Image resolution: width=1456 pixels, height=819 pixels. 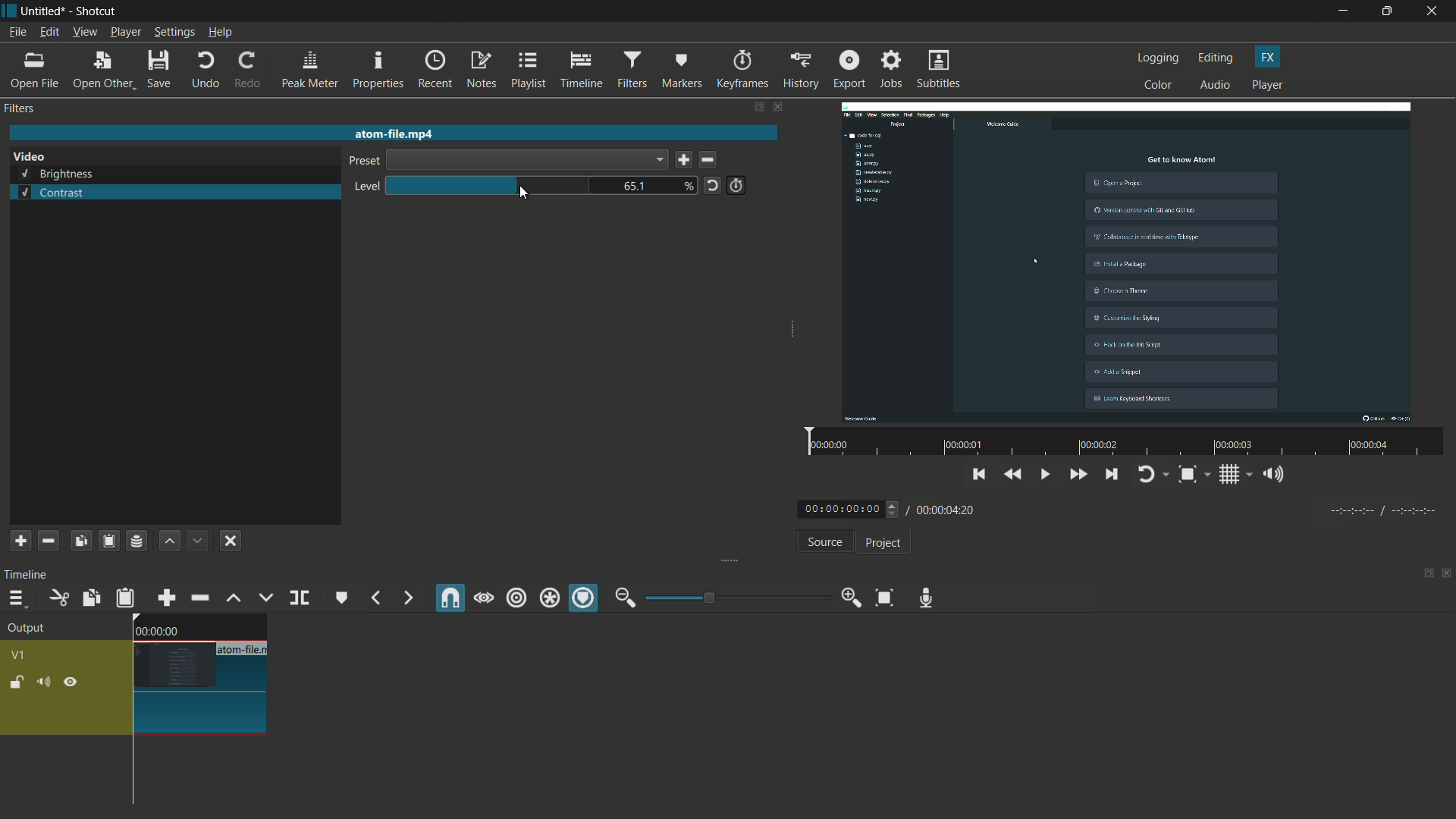 What do you see at coordinates (1267, 86) in the screenshot?
I see `player` at bounding box center [1267, 86].